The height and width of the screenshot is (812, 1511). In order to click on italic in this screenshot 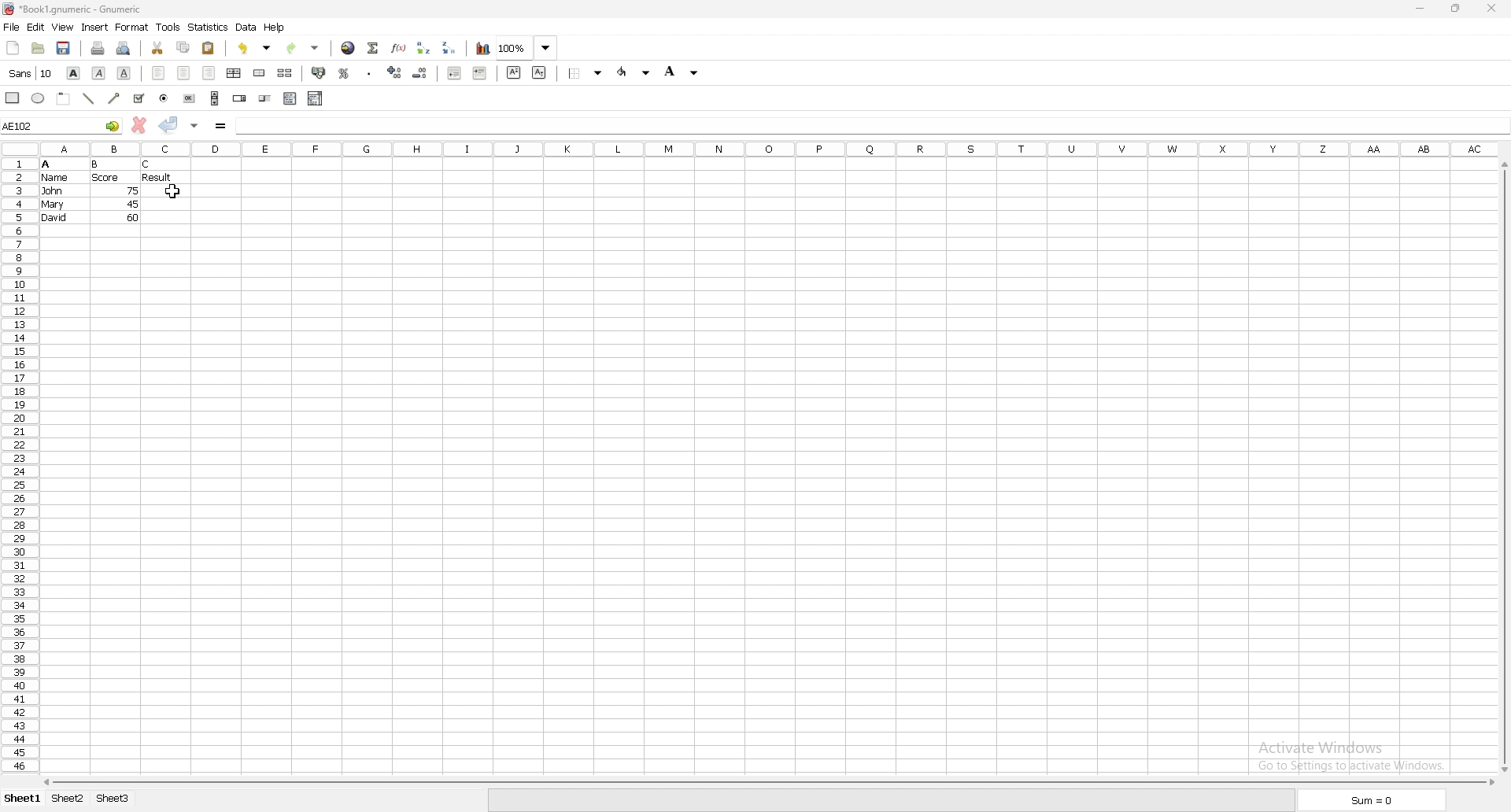, I will do `click(101, 73)`.